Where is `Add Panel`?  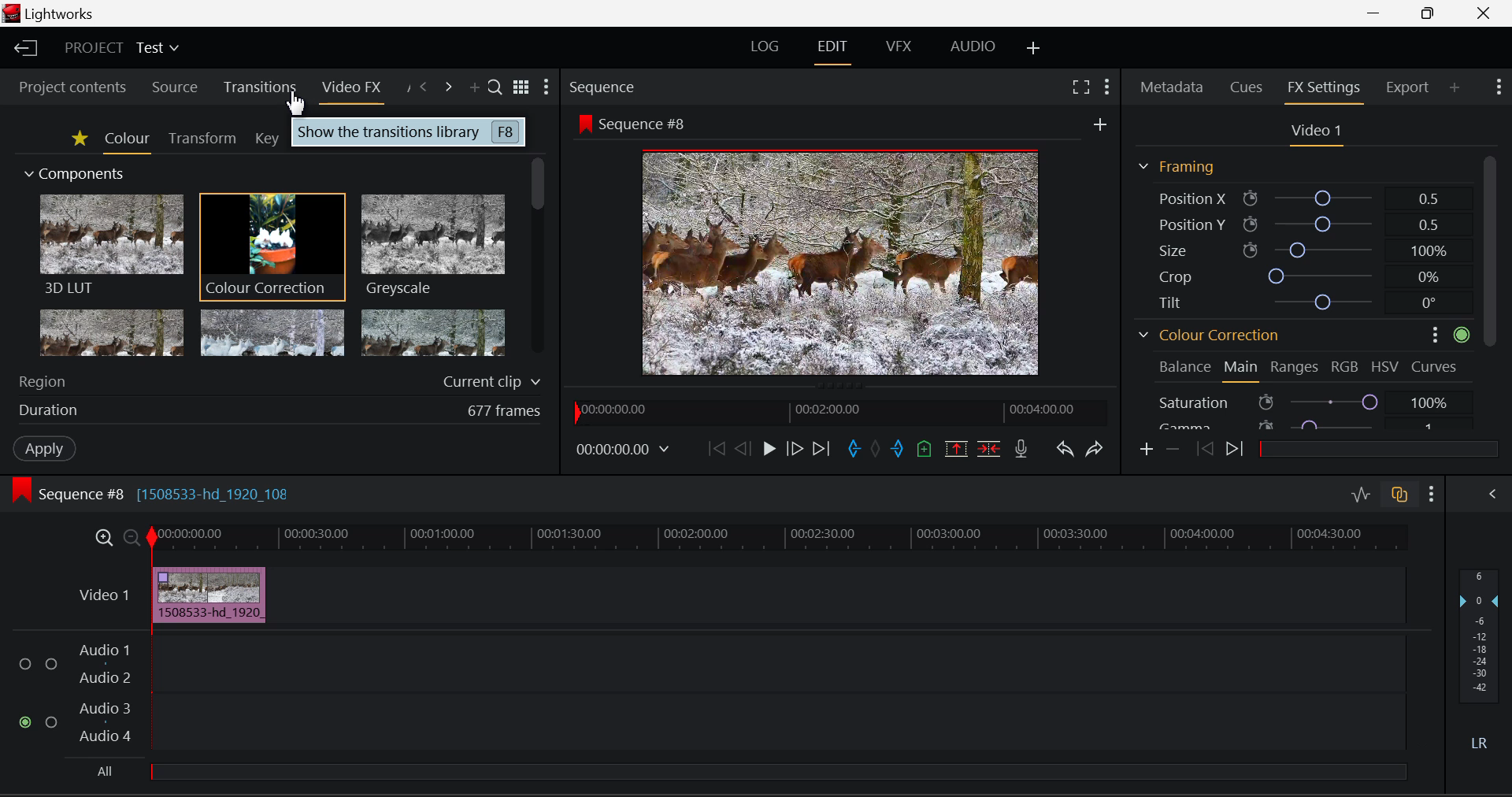
Add Panel is located at coordinates (1454, 85).